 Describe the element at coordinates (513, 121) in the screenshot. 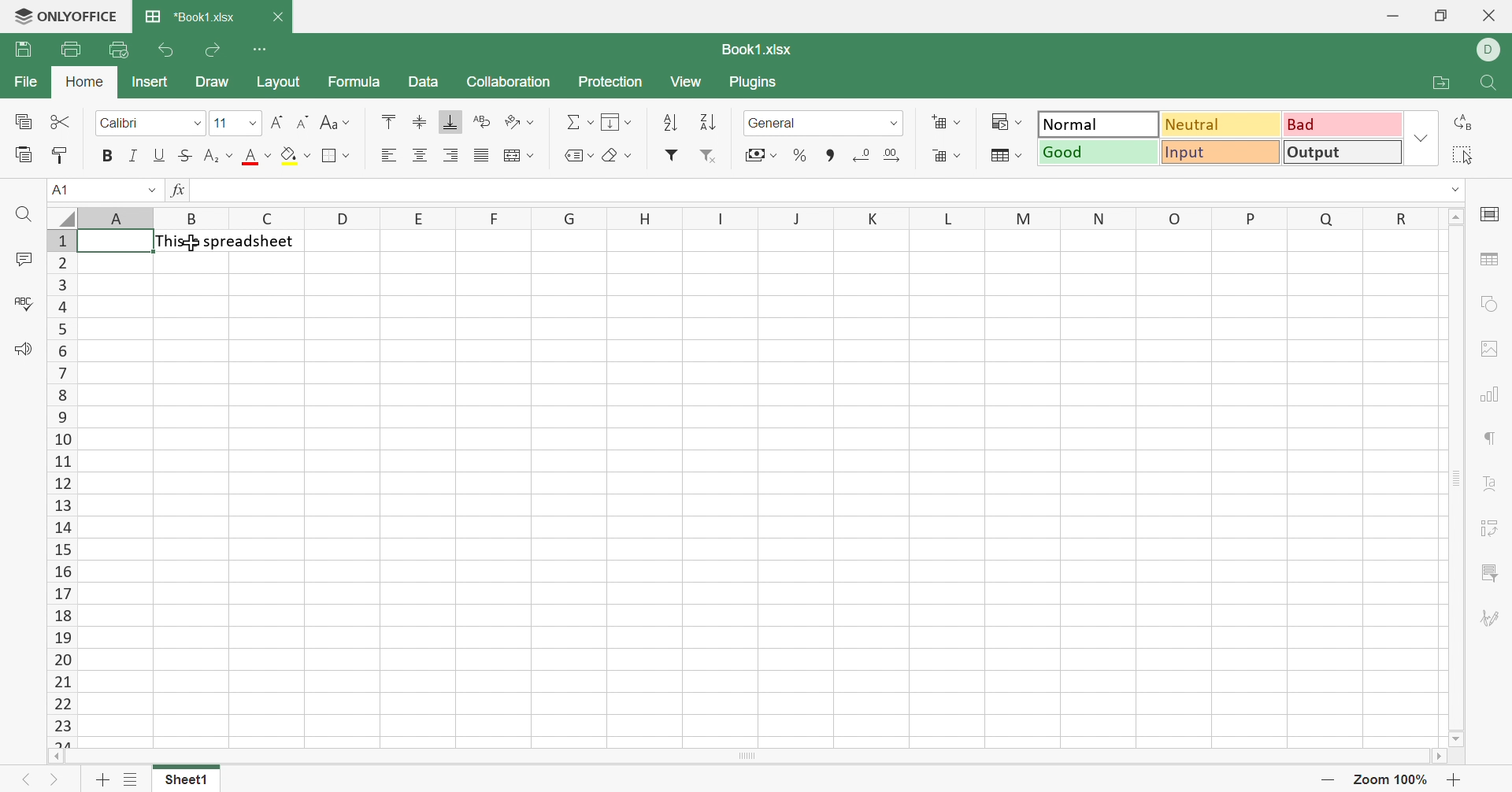

I see `Orientation` at that location.